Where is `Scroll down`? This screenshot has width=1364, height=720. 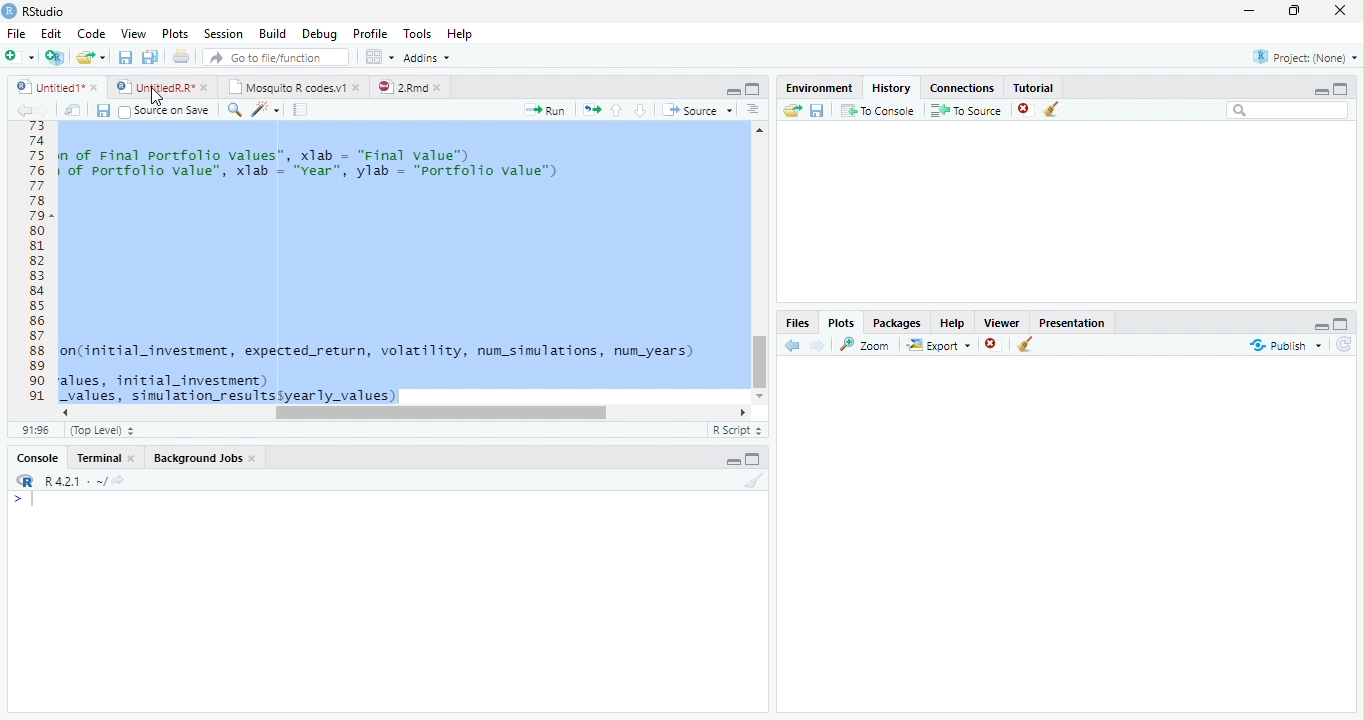 Scroll down is located at coordinates (761, 393).